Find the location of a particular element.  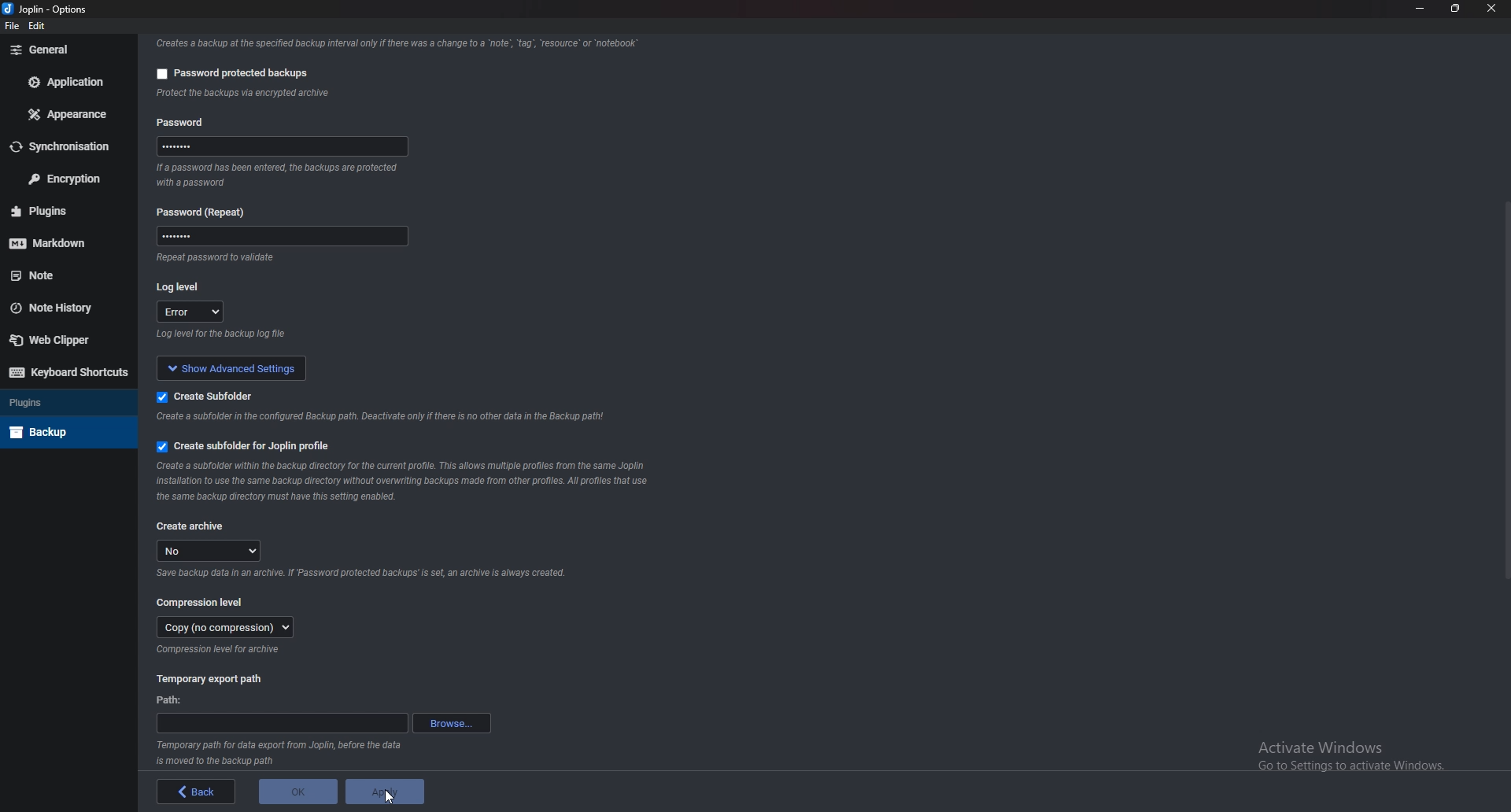

note is located at coordinates (62, 275).